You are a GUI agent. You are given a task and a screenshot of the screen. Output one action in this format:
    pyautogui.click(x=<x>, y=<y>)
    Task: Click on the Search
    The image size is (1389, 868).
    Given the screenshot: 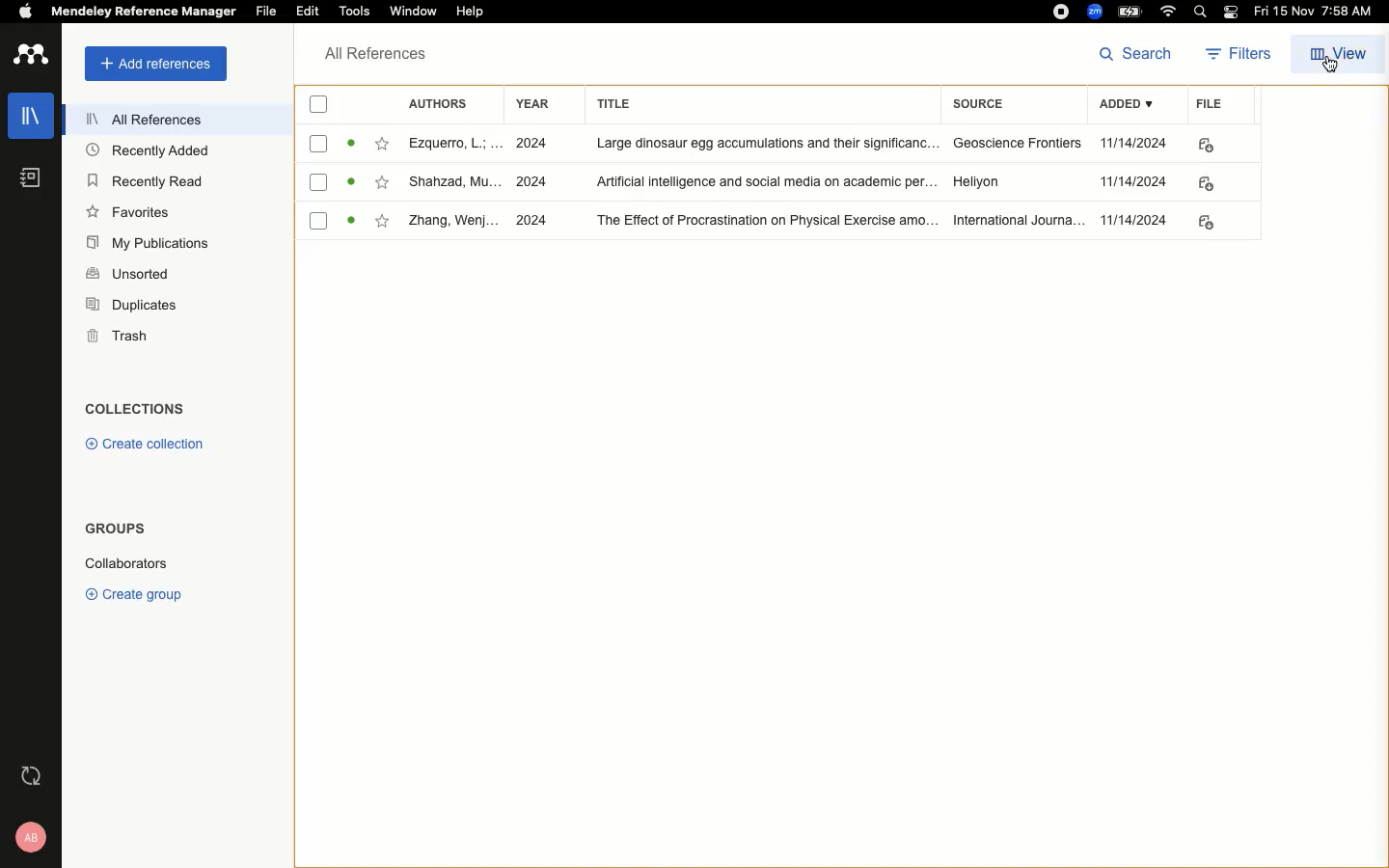 What is the action you would take?
    pyautogui.click(x=1136, y=54)
    